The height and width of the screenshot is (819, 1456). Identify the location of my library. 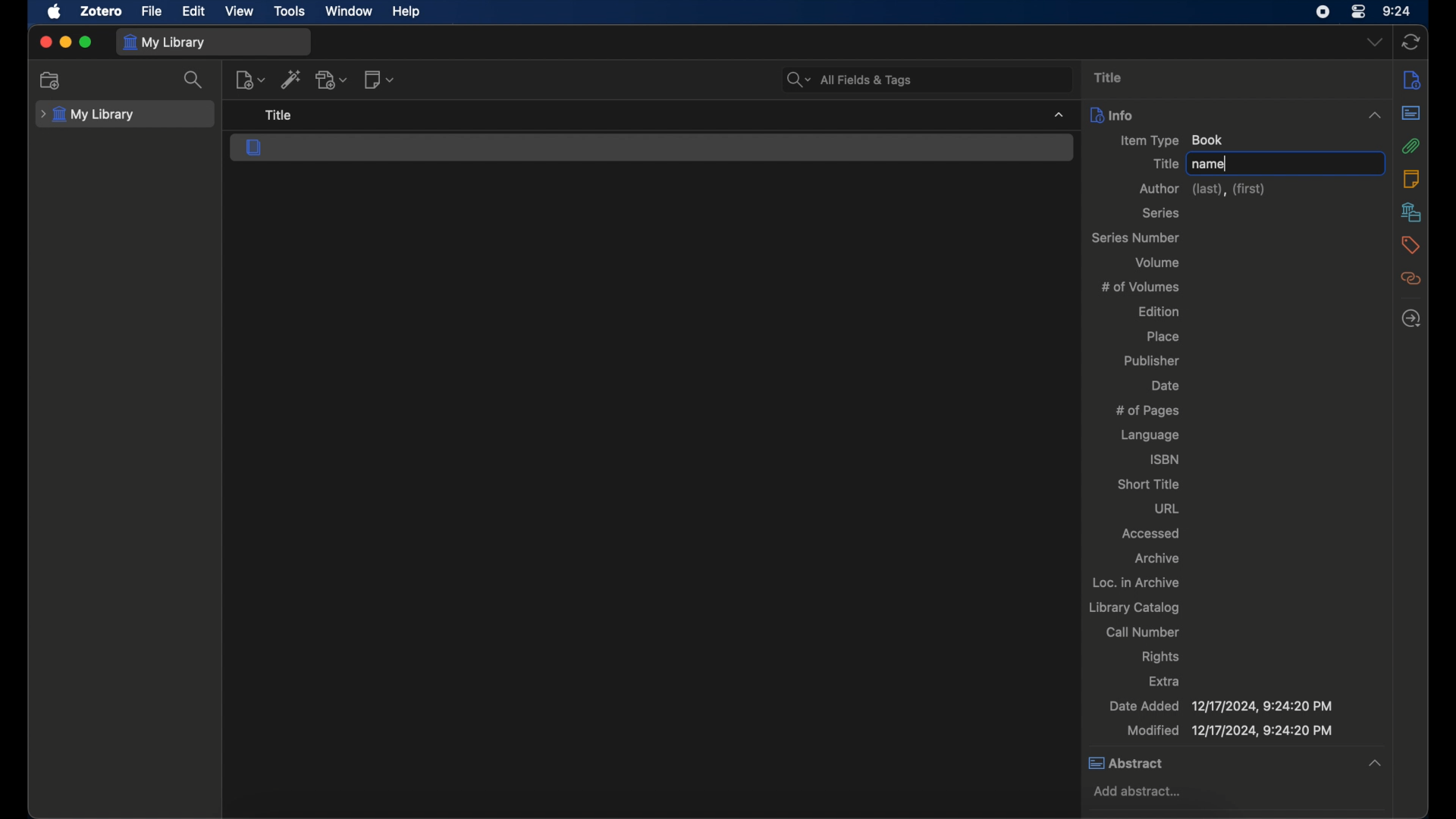
(165, 43).